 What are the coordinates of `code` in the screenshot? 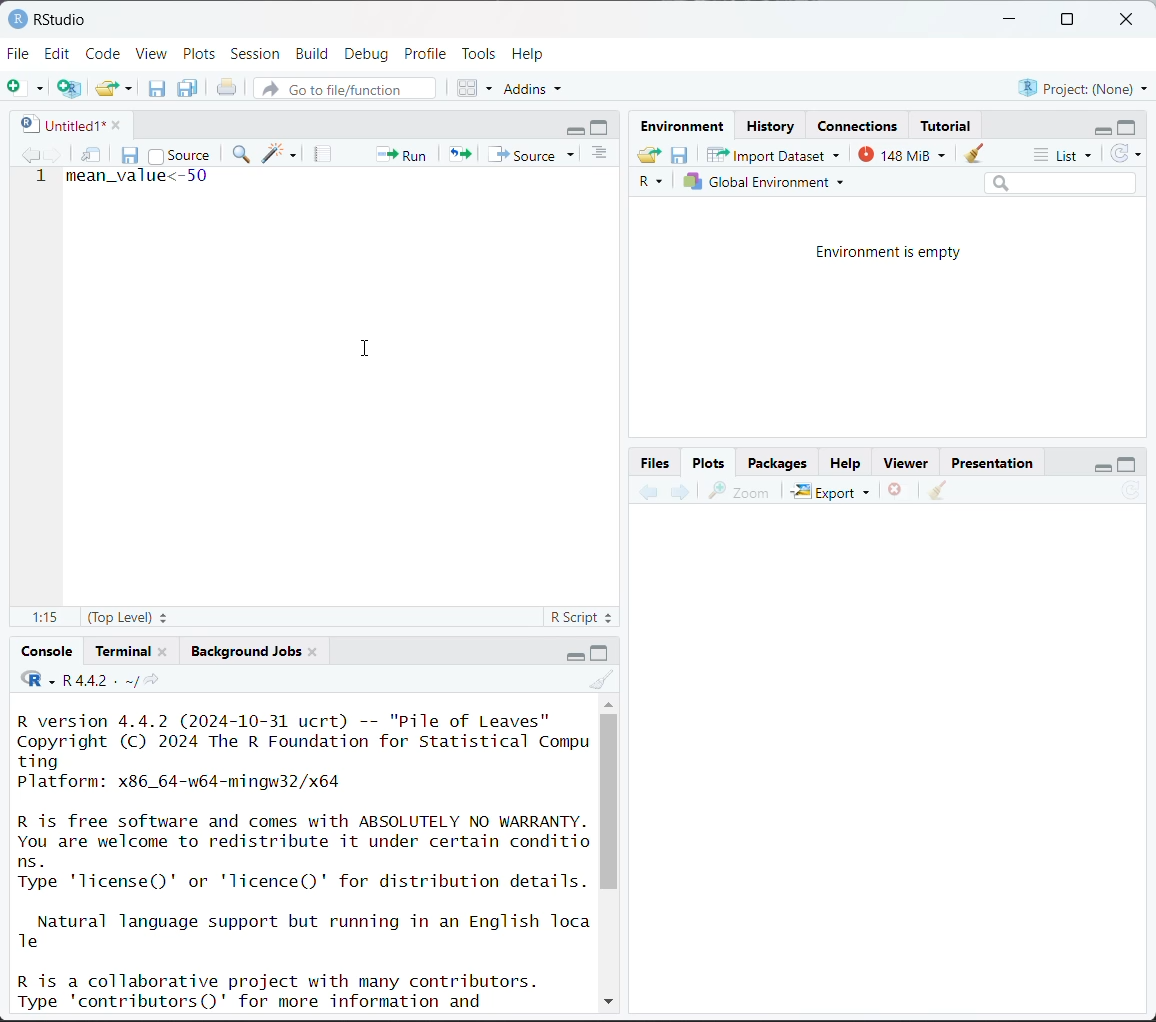 It's located at (37, 680).